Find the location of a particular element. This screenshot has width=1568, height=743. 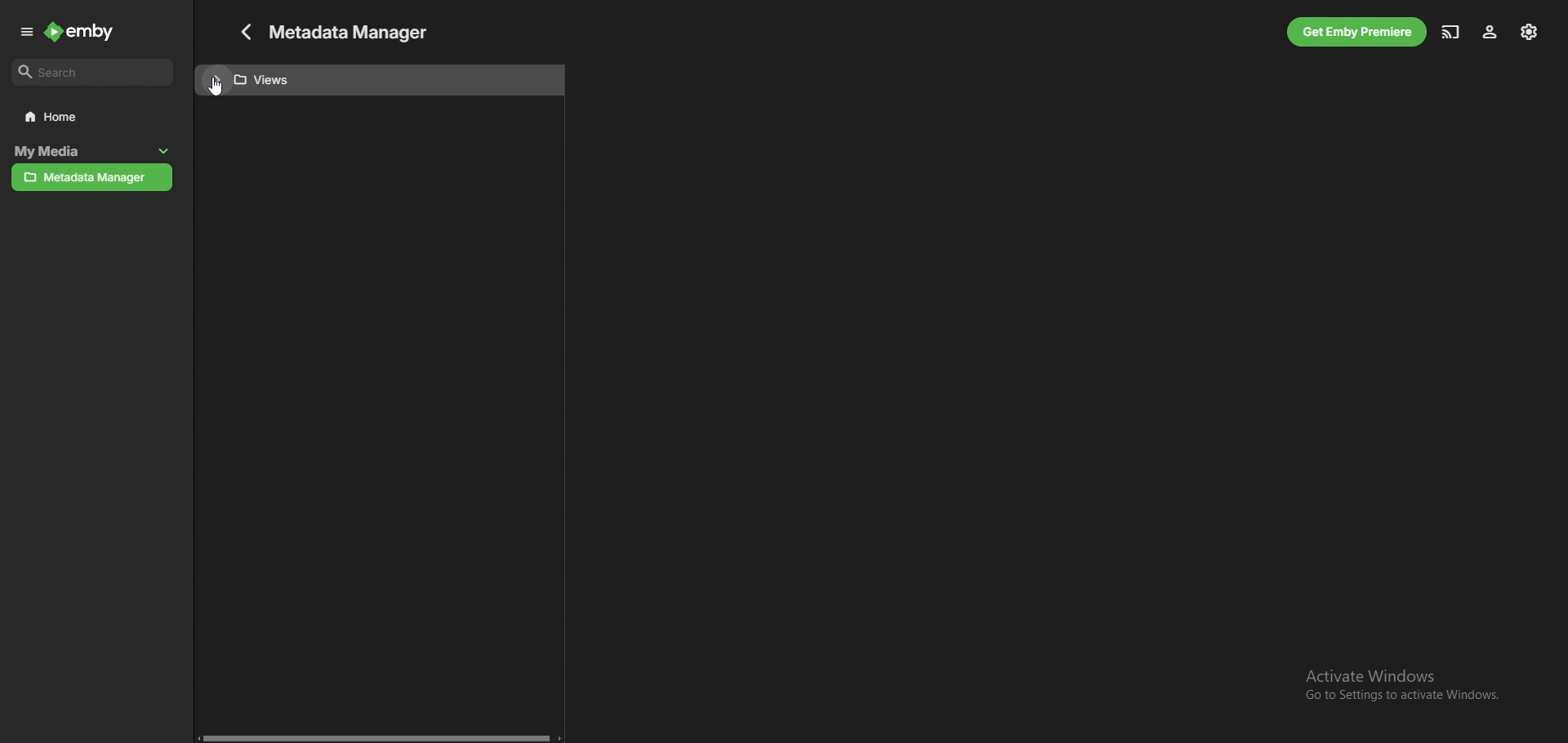

my media is located at coordinates (73, 152).